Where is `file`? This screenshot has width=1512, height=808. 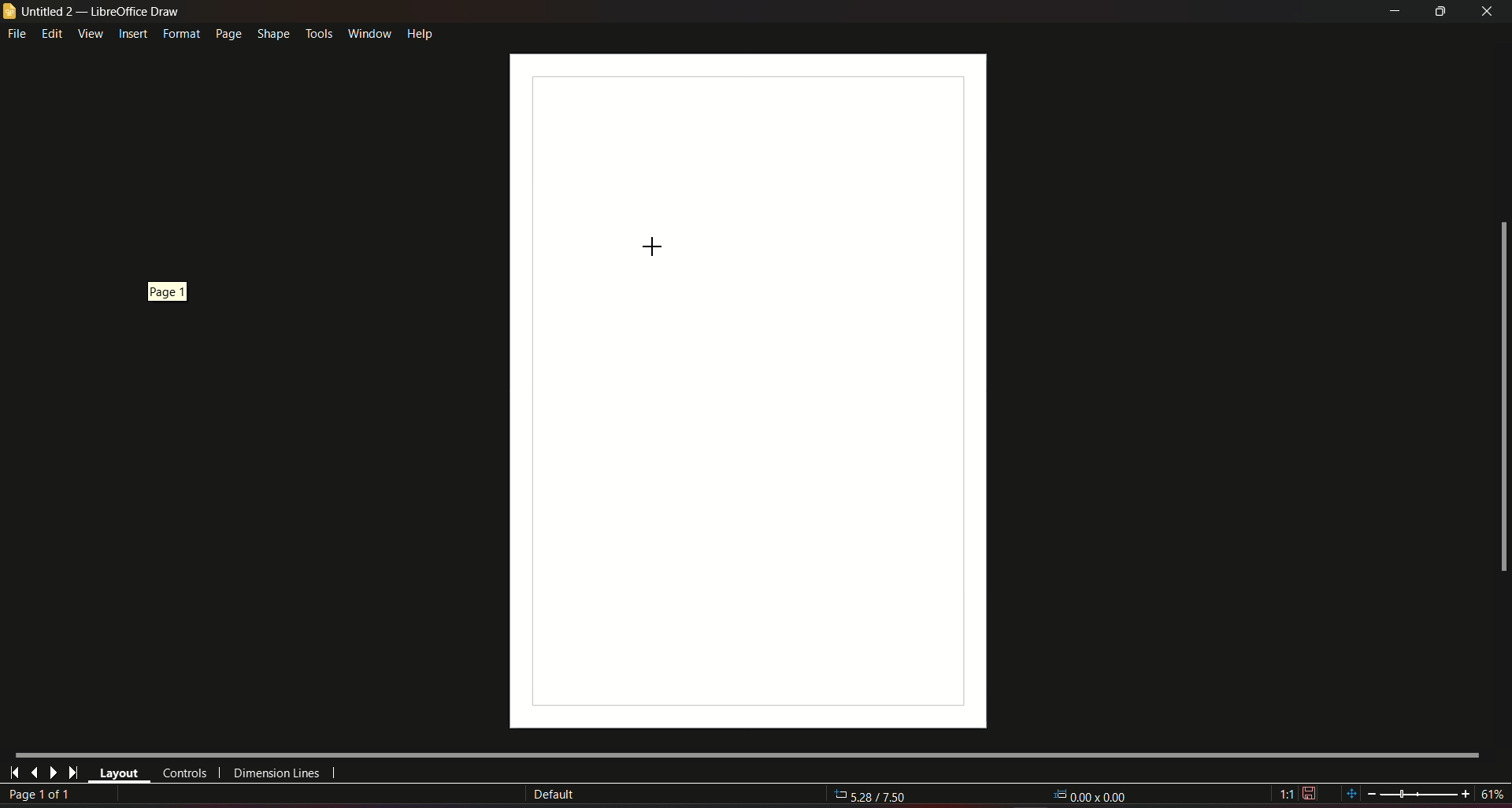 file is located at coordinates (18, 35).